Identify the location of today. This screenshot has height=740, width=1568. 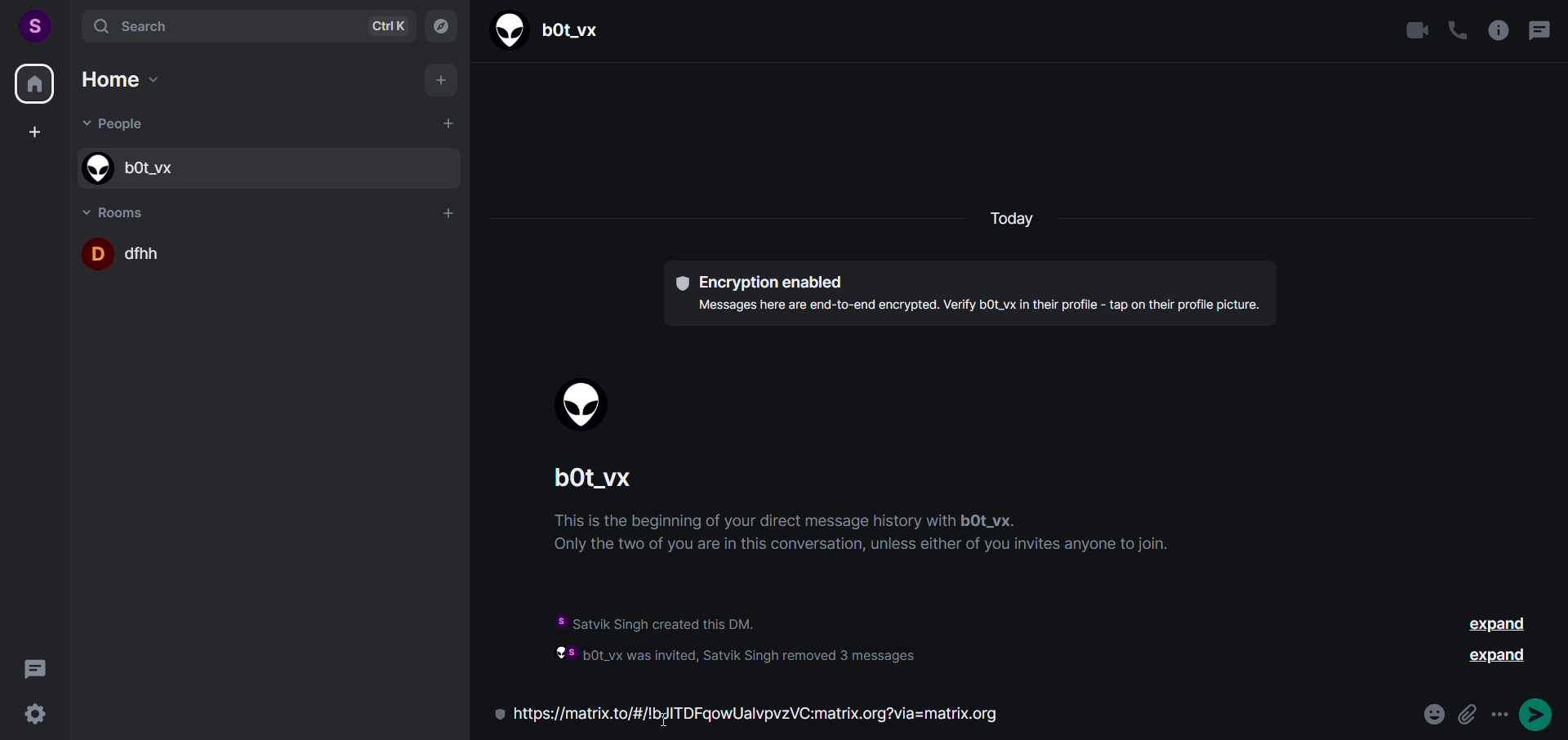
(1010, 220).